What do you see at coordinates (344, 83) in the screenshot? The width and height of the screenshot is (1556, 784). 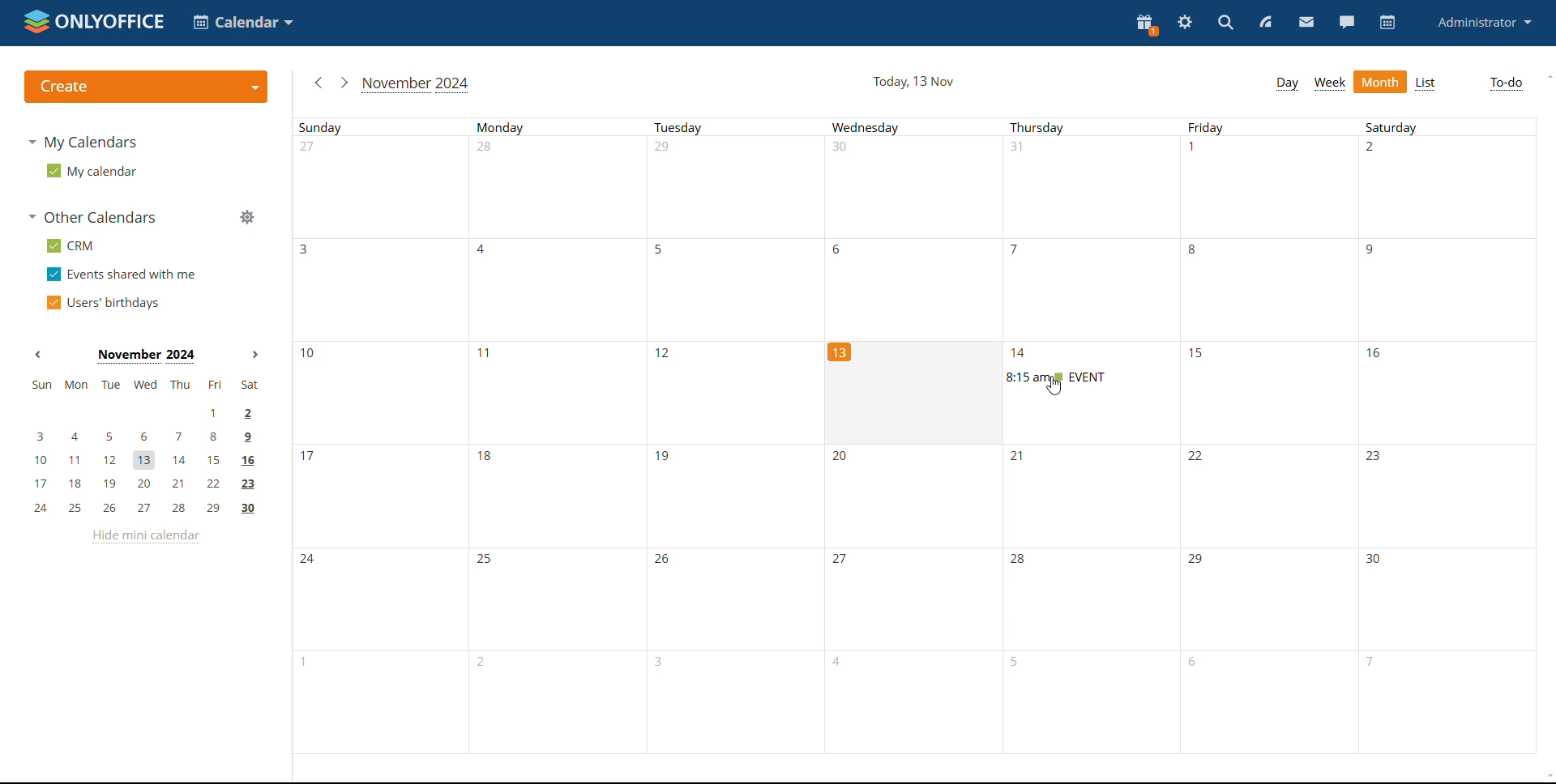 I see `next month` at bounding box center [344, 83].